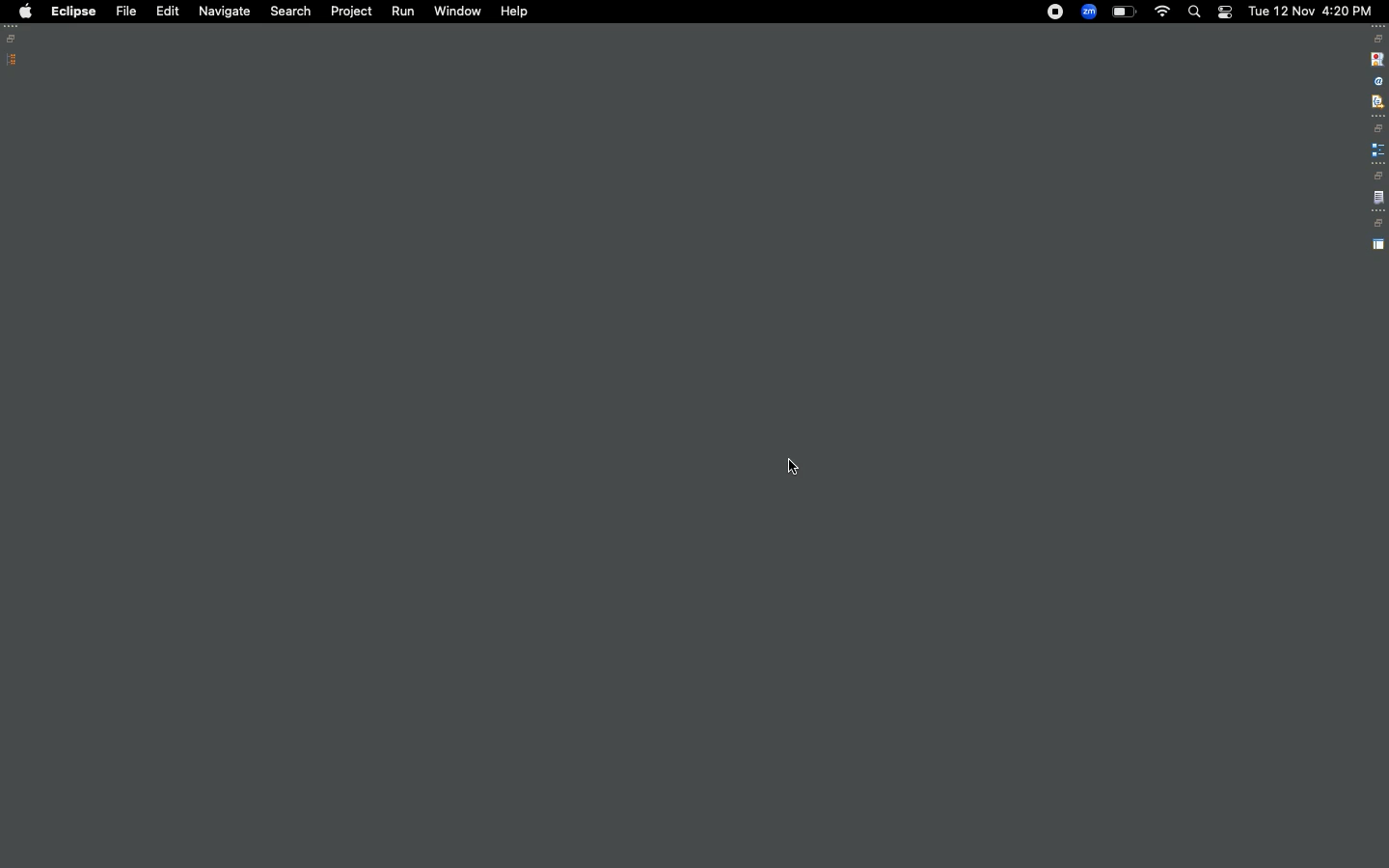  Describe the element at coordinates (404, 14) in the screenshot. I see `run` at that location.